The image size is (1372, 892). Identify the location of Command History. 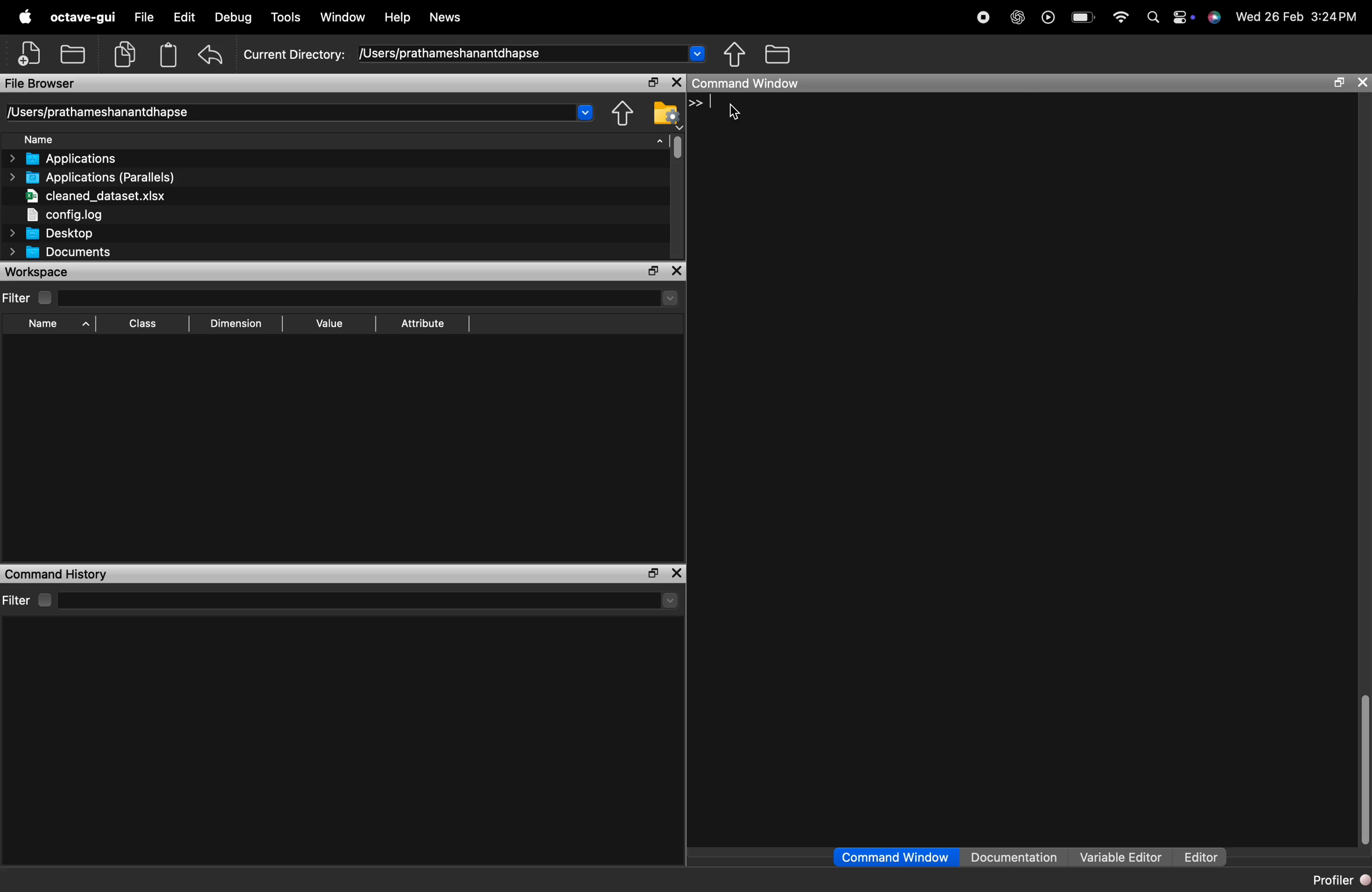
(56, 574).